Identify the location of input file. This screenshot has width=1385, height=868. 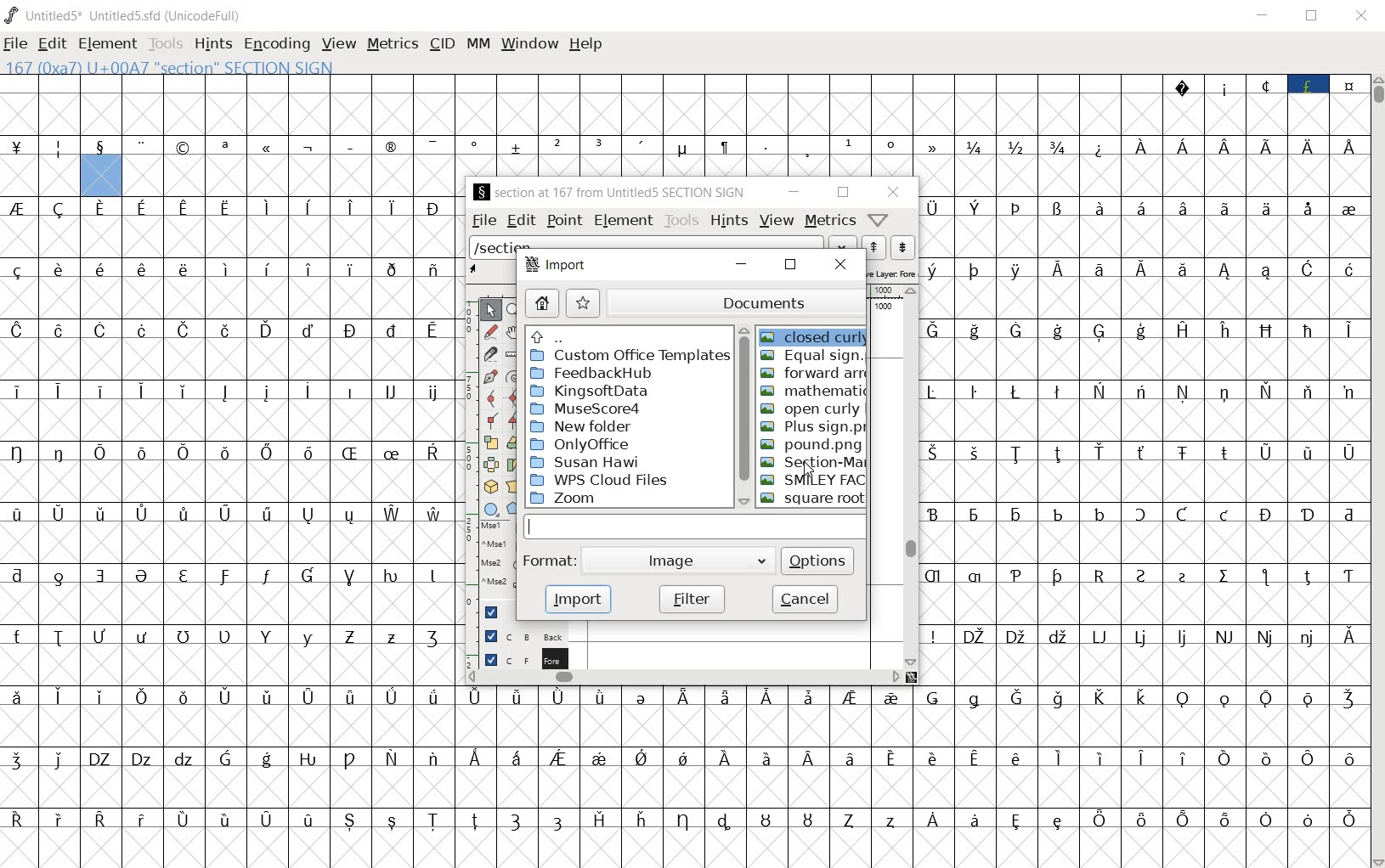
(696, 526).